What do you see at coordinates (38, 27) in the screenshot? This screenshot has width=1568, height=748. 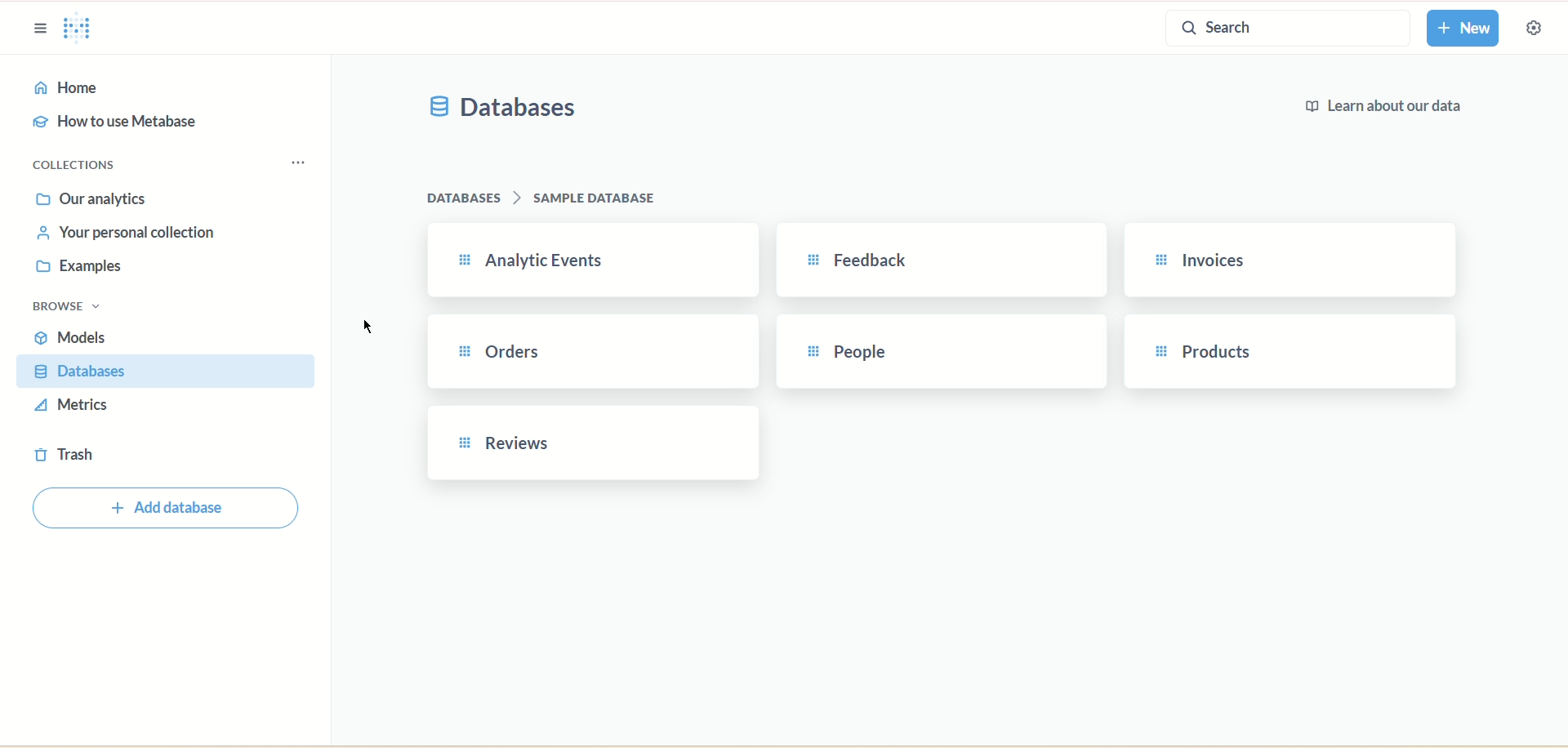 I see `sidebar` at bounding box center [38, 27].